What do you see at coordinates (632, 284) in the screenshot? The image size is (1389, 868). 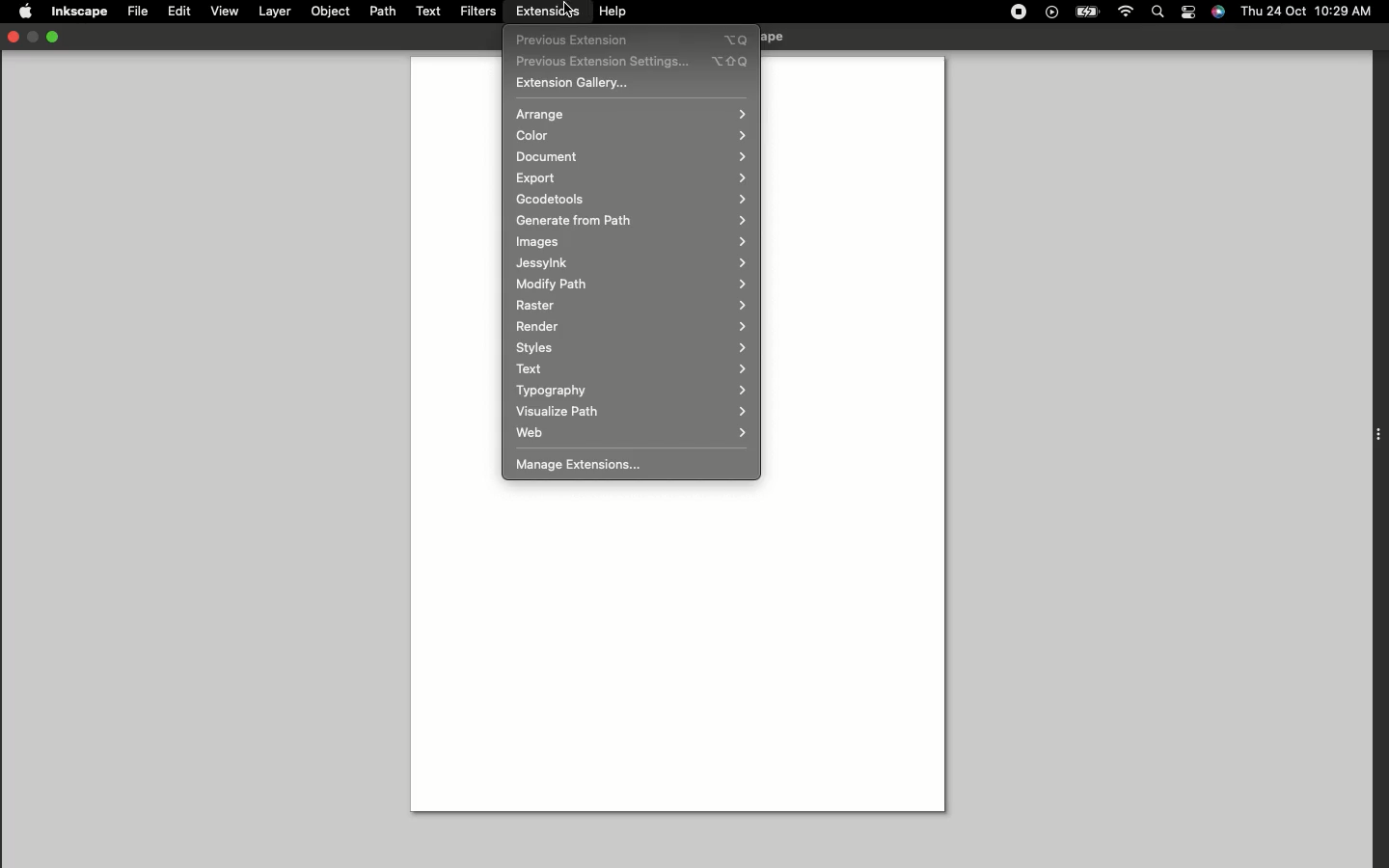 I see `Modify path ` at bounding box center [632, 284].